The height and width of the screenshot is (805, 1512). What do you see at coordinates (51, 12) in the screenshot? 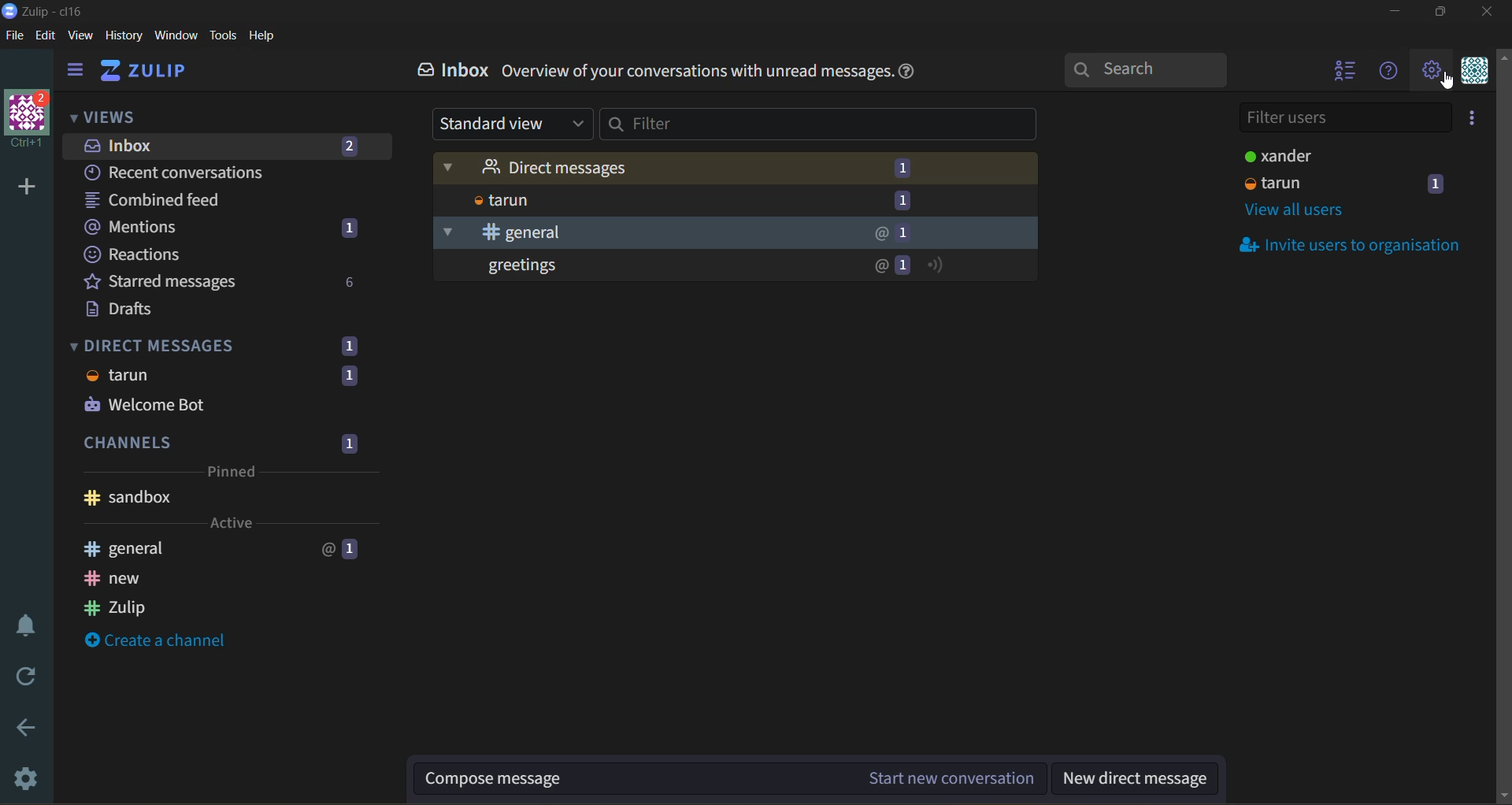
I see `app name and organisation name` at bounding box center [51, 12].